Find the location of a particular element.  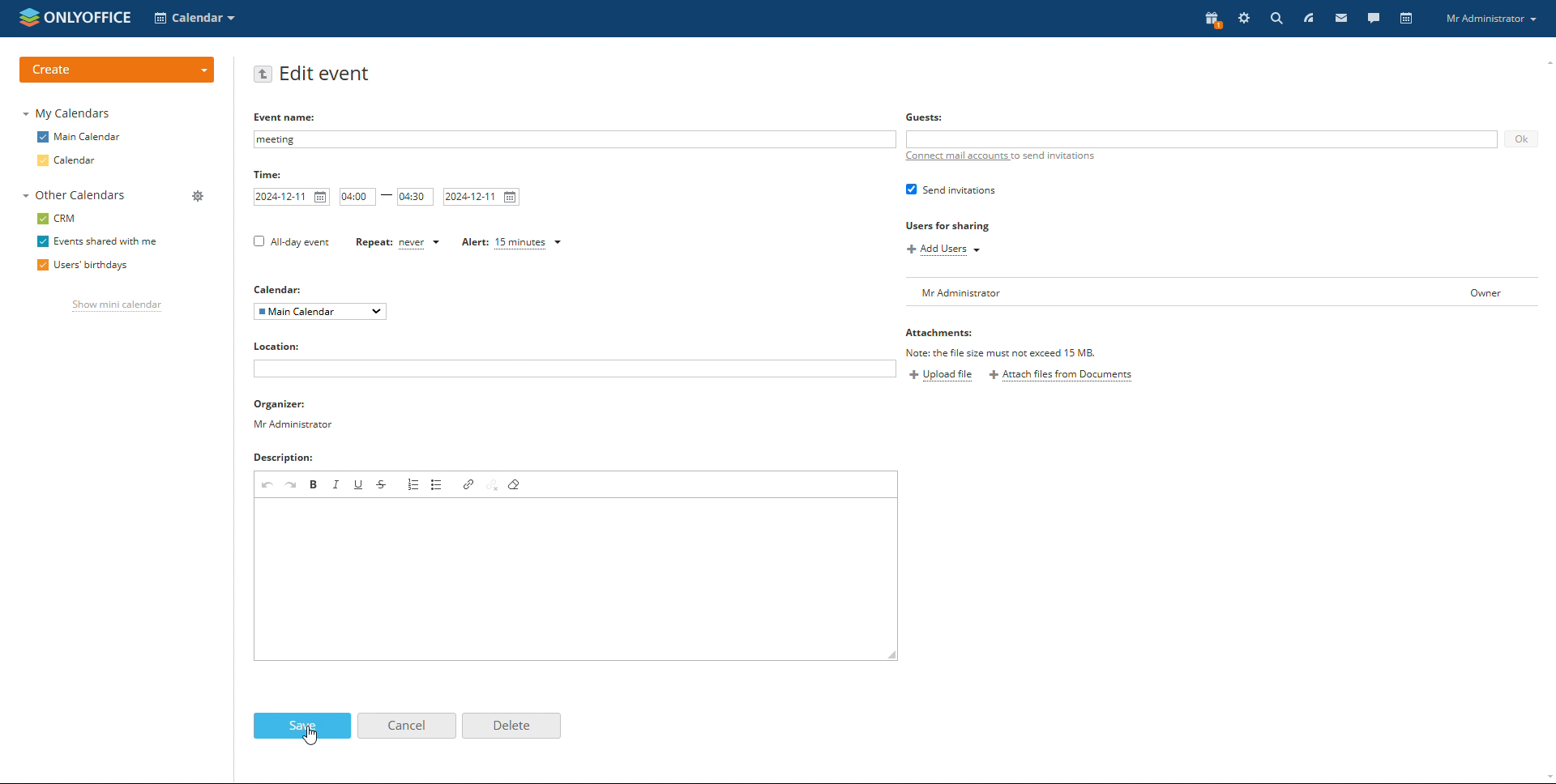

mail is located at coordinates (1346, 19).